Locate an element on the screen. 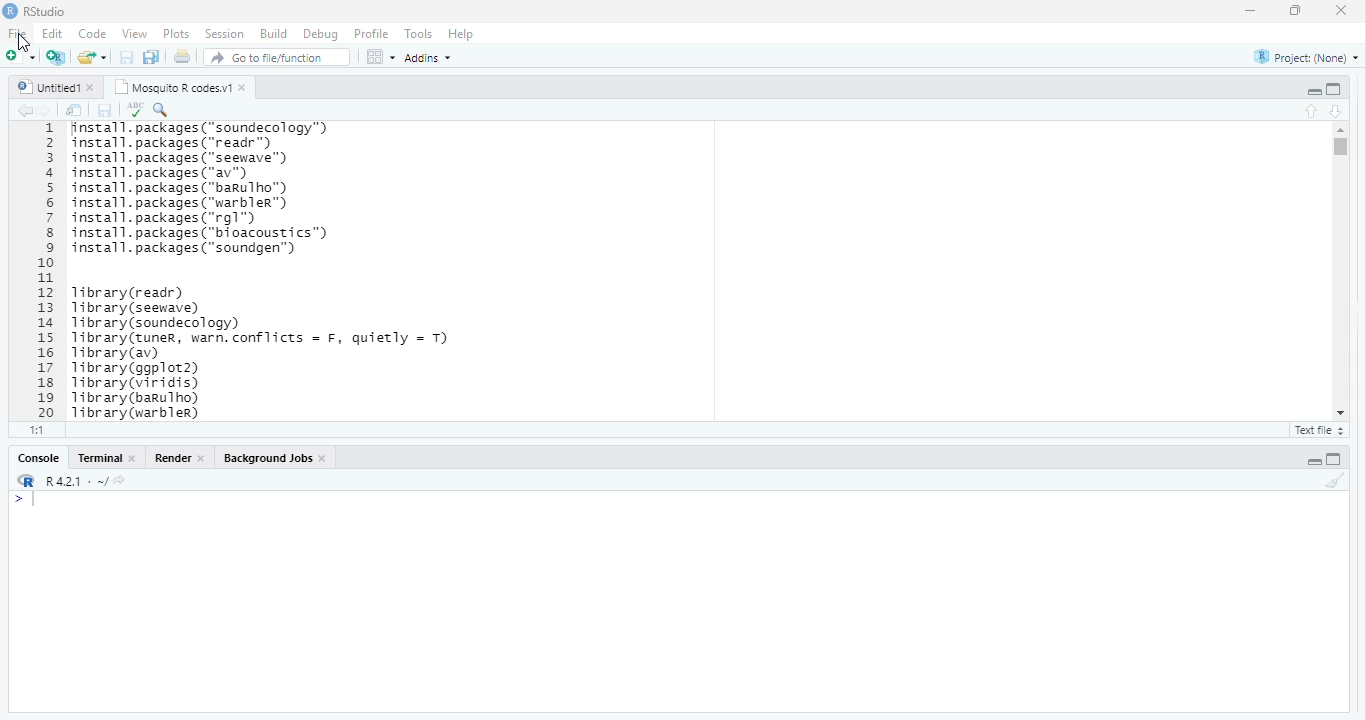 Image resolution: width=1366 pixels, height=720 pixels. share is located at coordinates (119, 480).